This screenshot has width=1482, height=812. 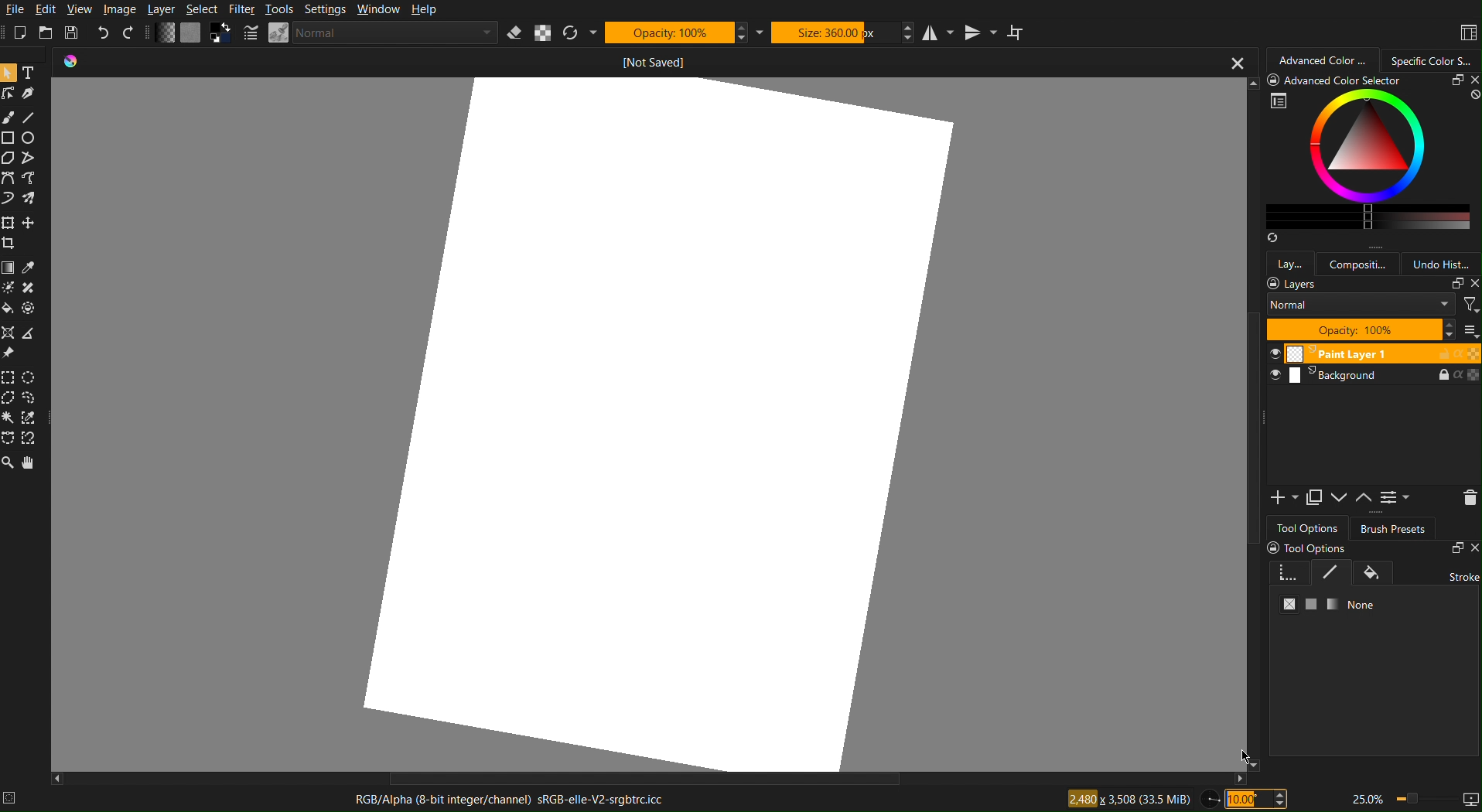 I want to click on Select, so click(x=202, y=9).